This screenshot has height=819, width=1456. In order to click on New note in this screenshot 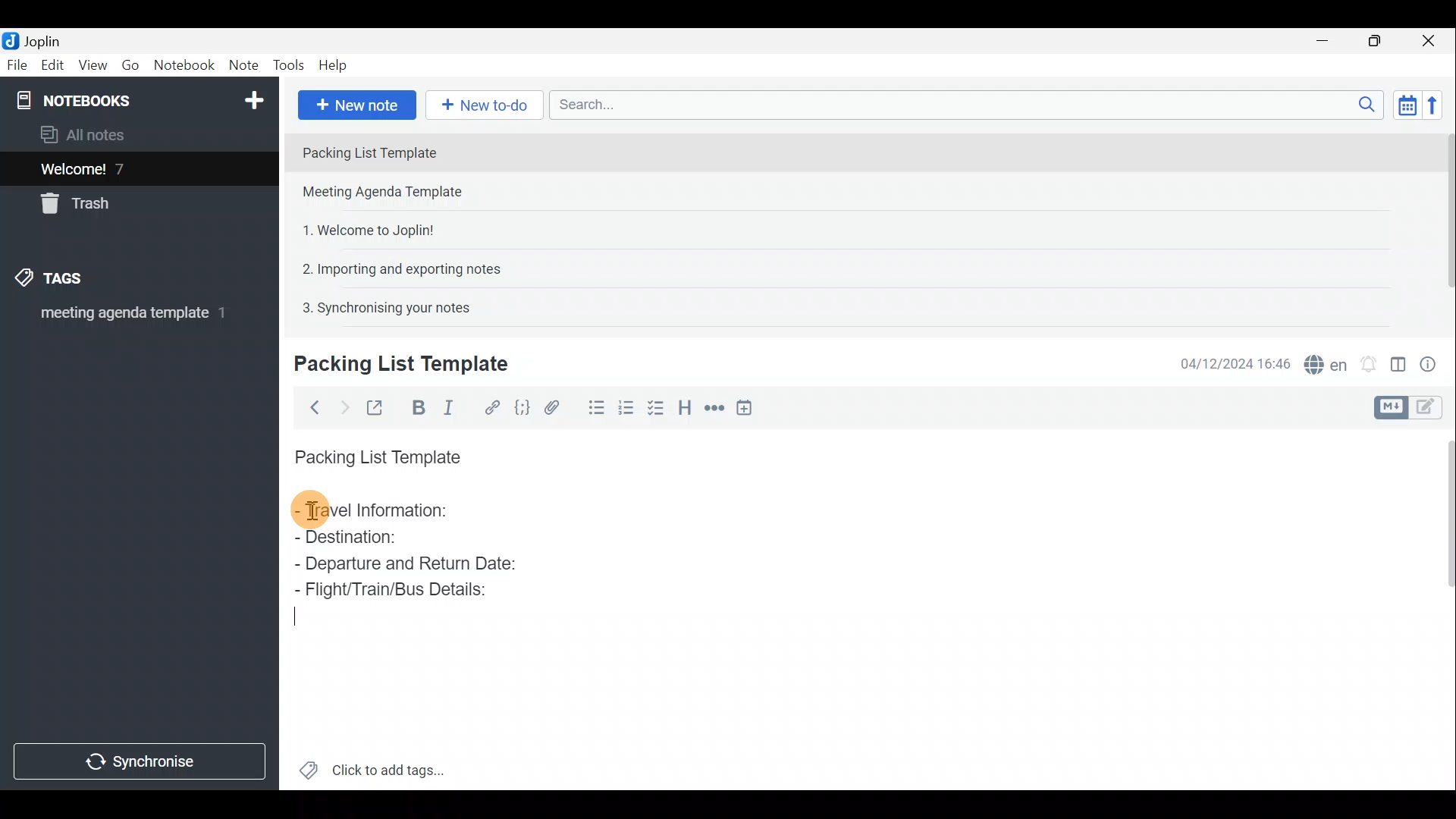, I will do `click(356, 103)`.